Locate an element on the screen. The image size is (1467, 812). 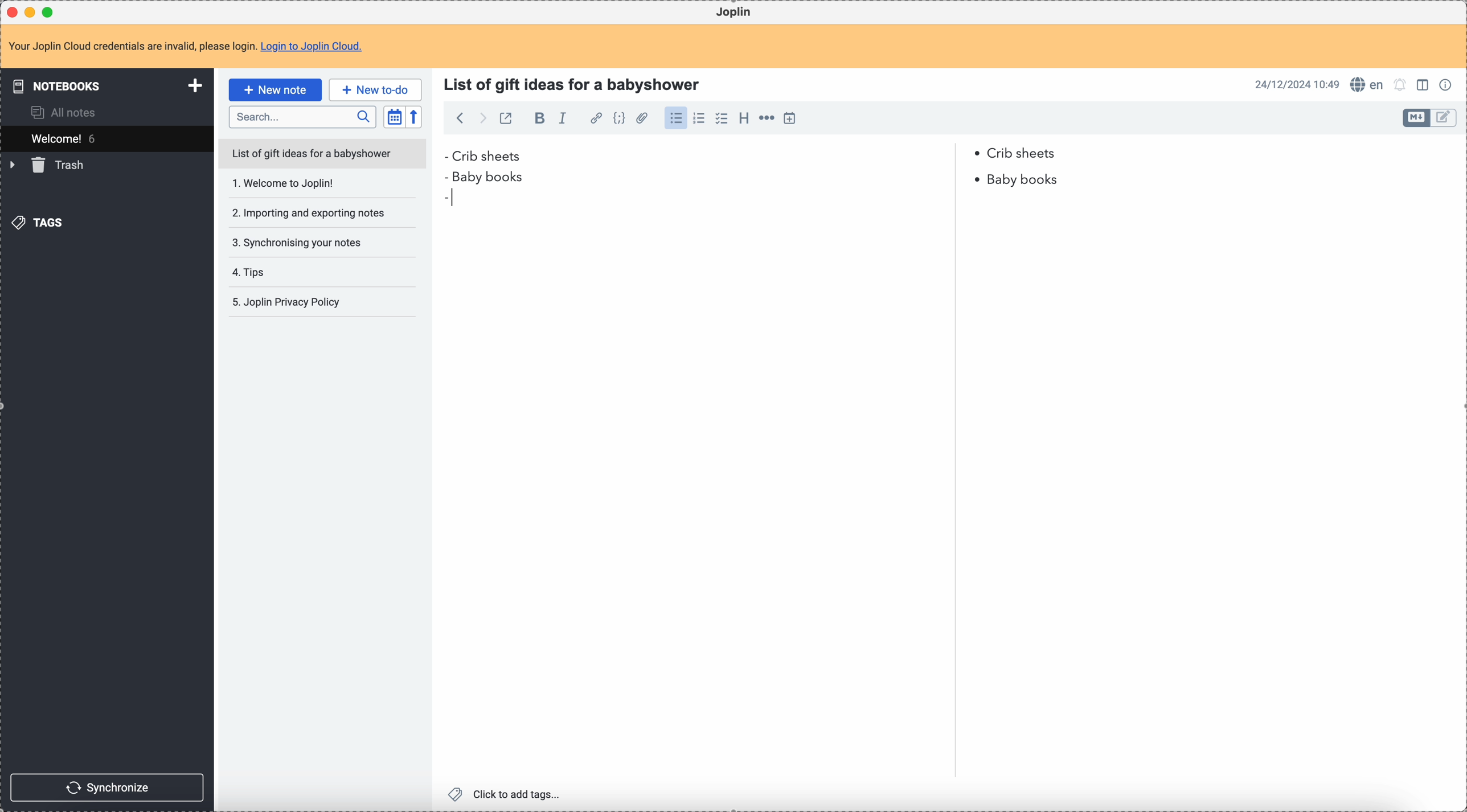
toggle sort order field is located at coordinates (394, 117).